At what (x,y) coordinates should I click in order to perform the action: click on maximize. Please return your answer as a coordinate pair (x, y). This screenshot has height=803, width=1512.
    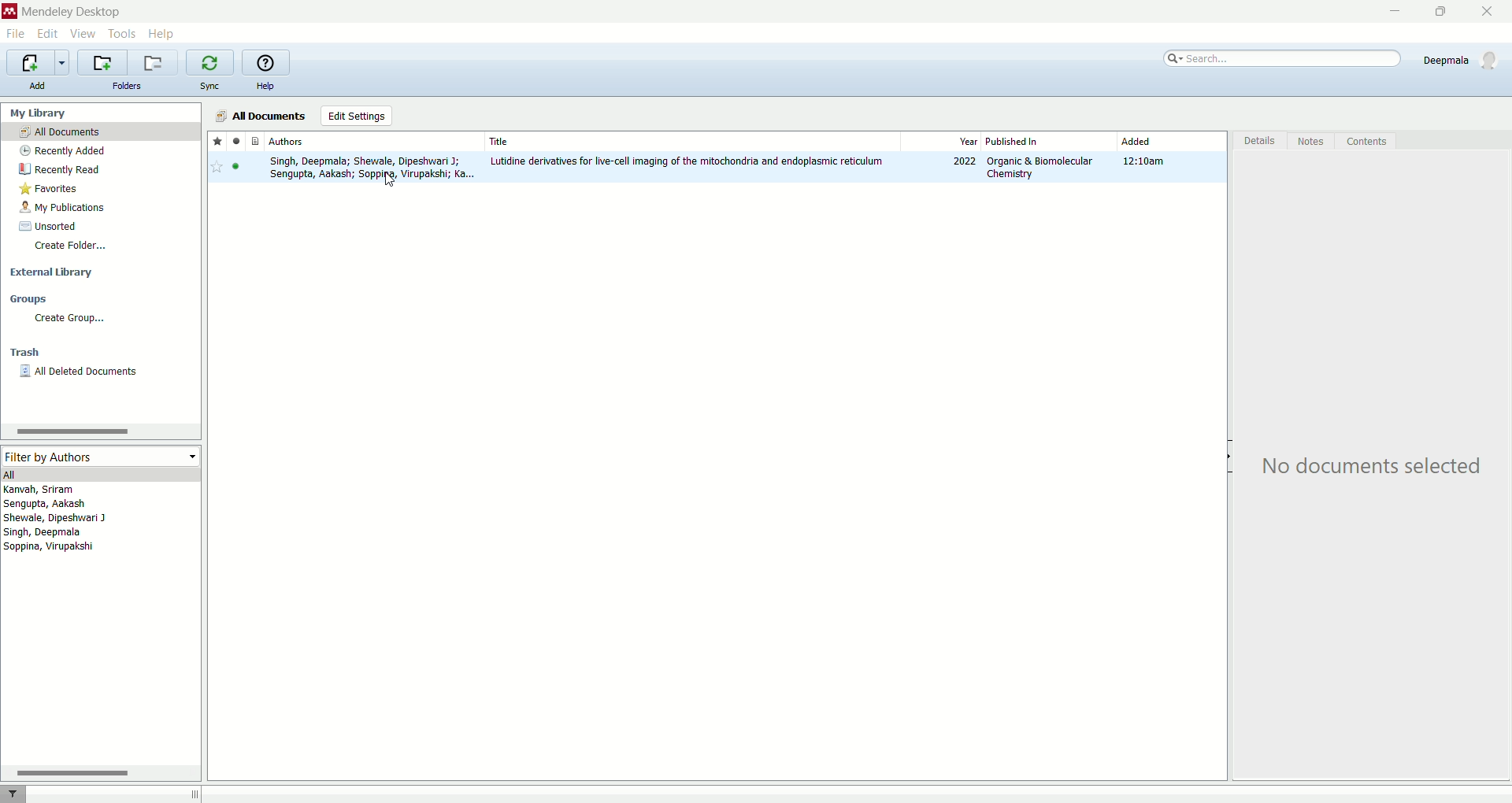
    Looking at the image, I should click on (1442, 10).